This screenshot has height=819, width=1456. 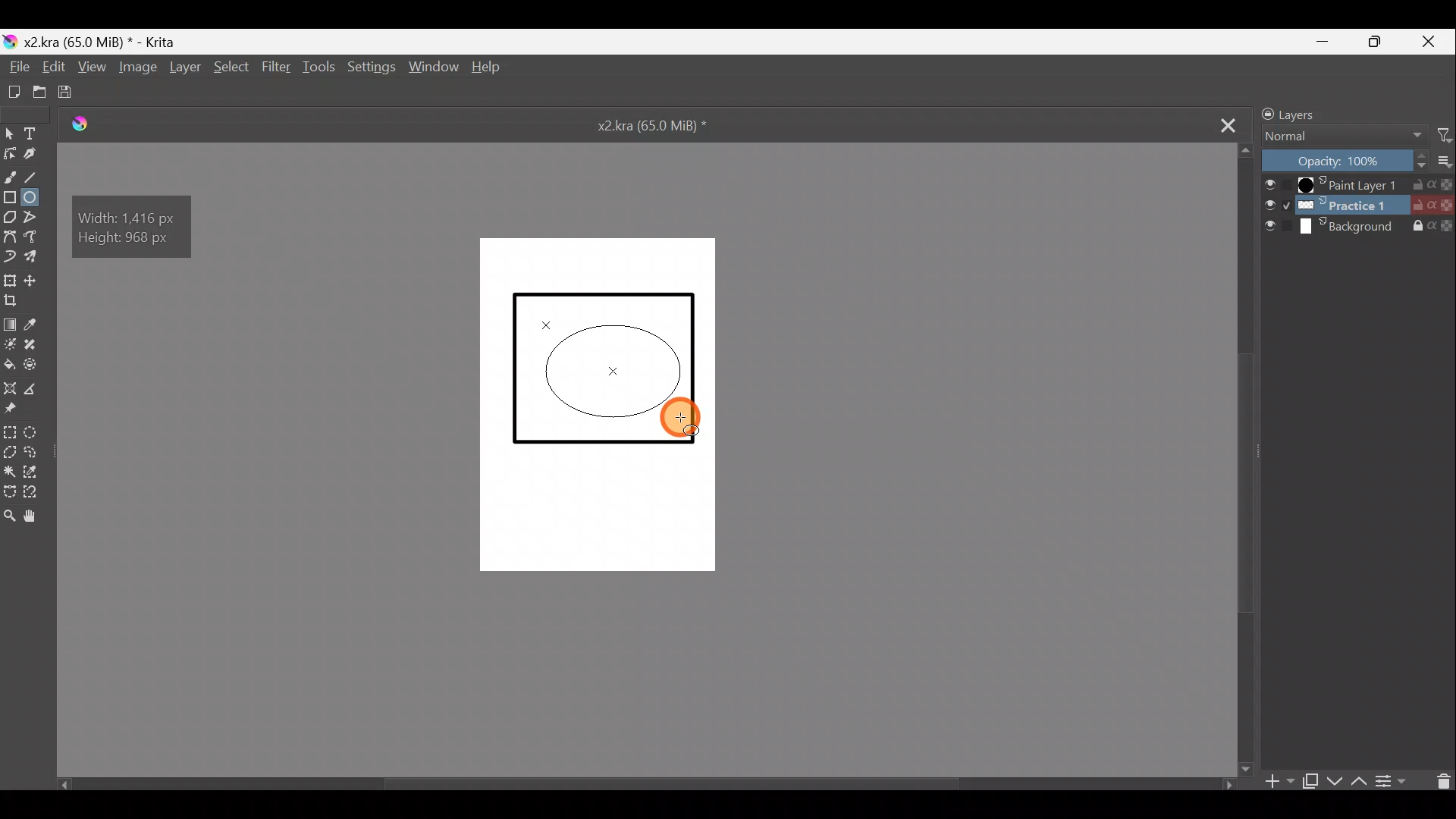 I want to click on View, so click(x=95, y=68).